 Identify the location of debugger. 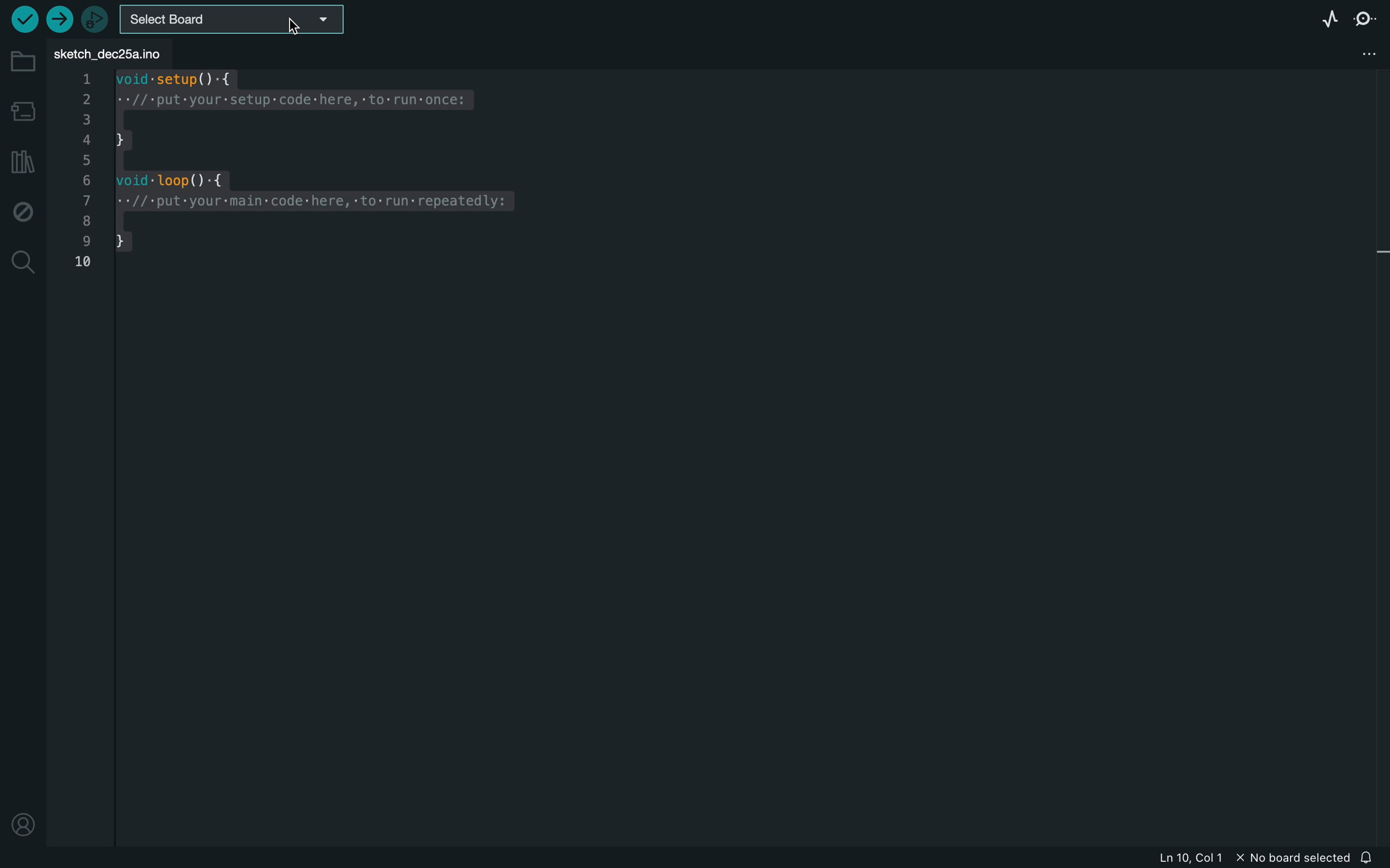
(95, 19).